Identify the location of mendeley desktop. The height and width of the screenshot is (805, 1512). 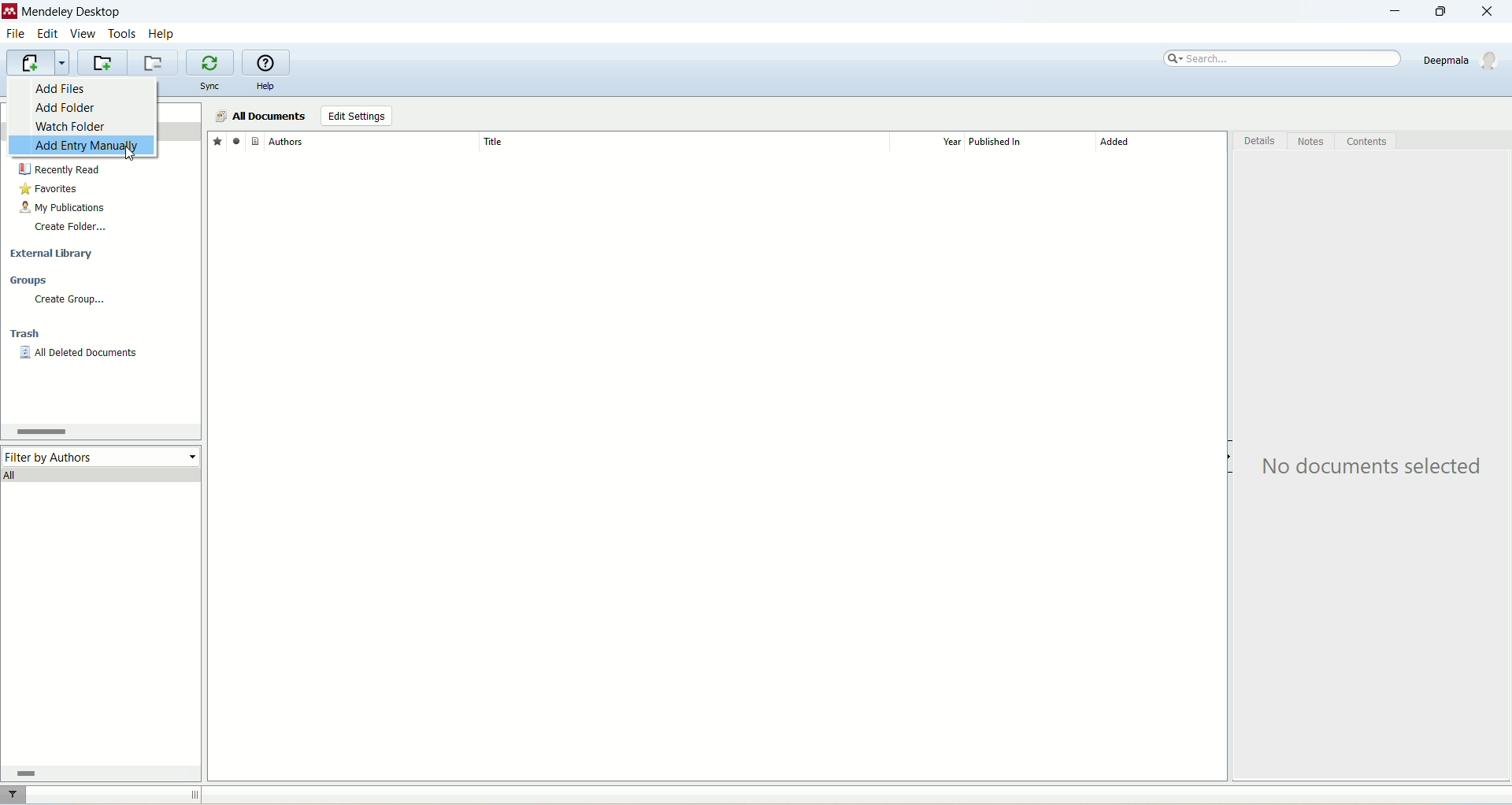
(69, 13).